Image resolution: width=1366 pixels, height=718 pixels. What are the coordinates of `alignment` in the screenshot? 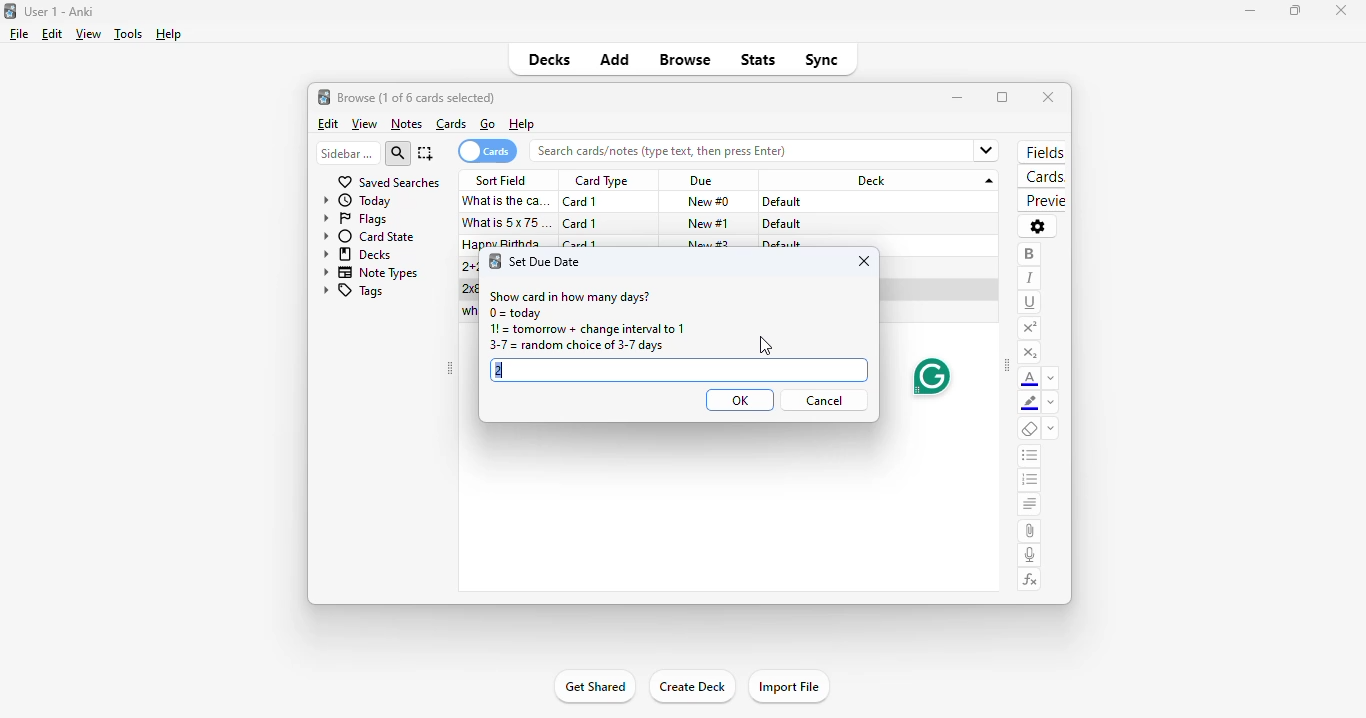 It's located at (1029, 506).